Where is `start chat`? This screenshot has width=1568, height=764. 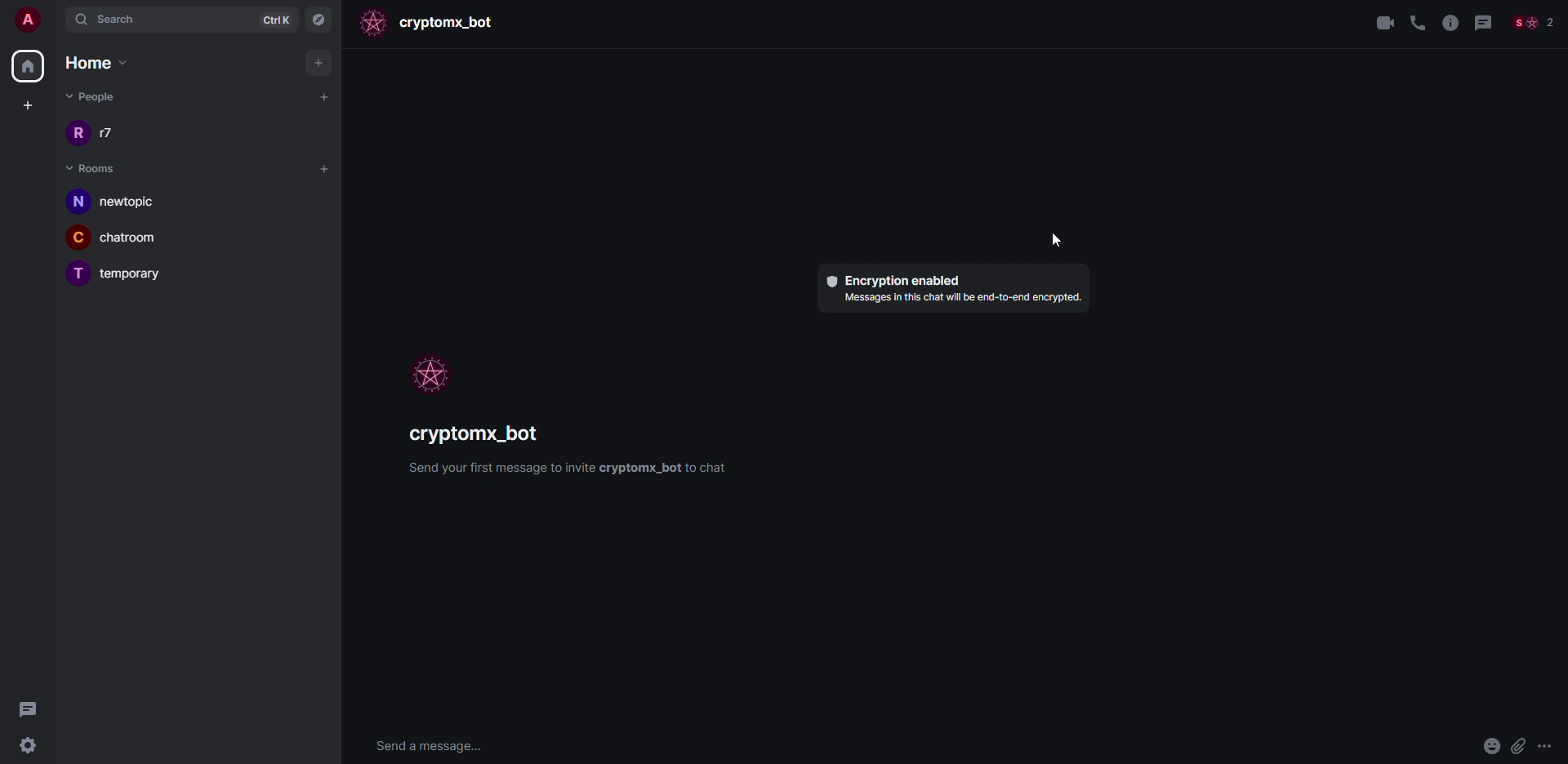 start chat is located at coordinates (325, 96).